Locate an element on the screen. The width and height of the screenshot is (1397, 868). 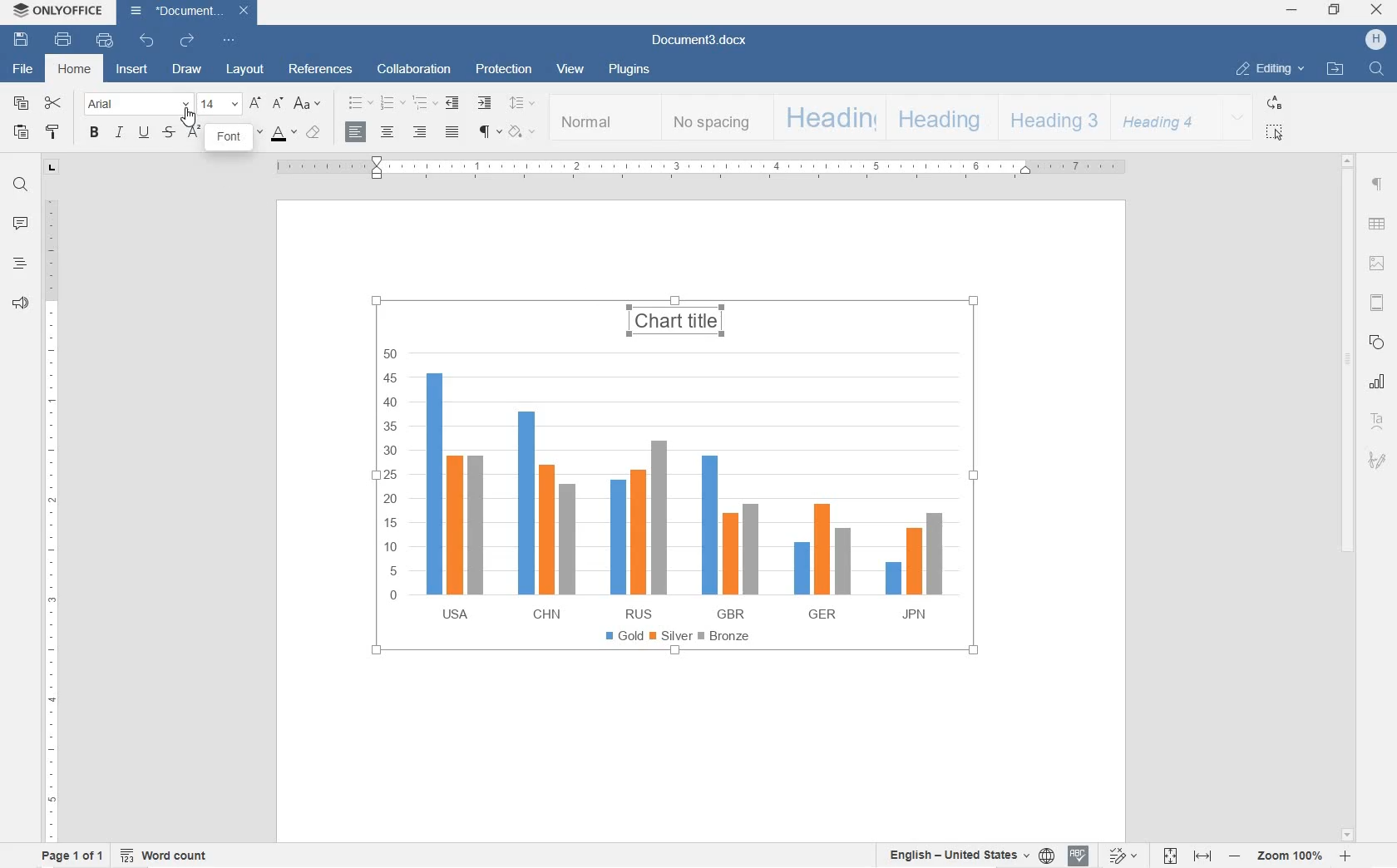
DRAW is located at coordinates (187, 71).